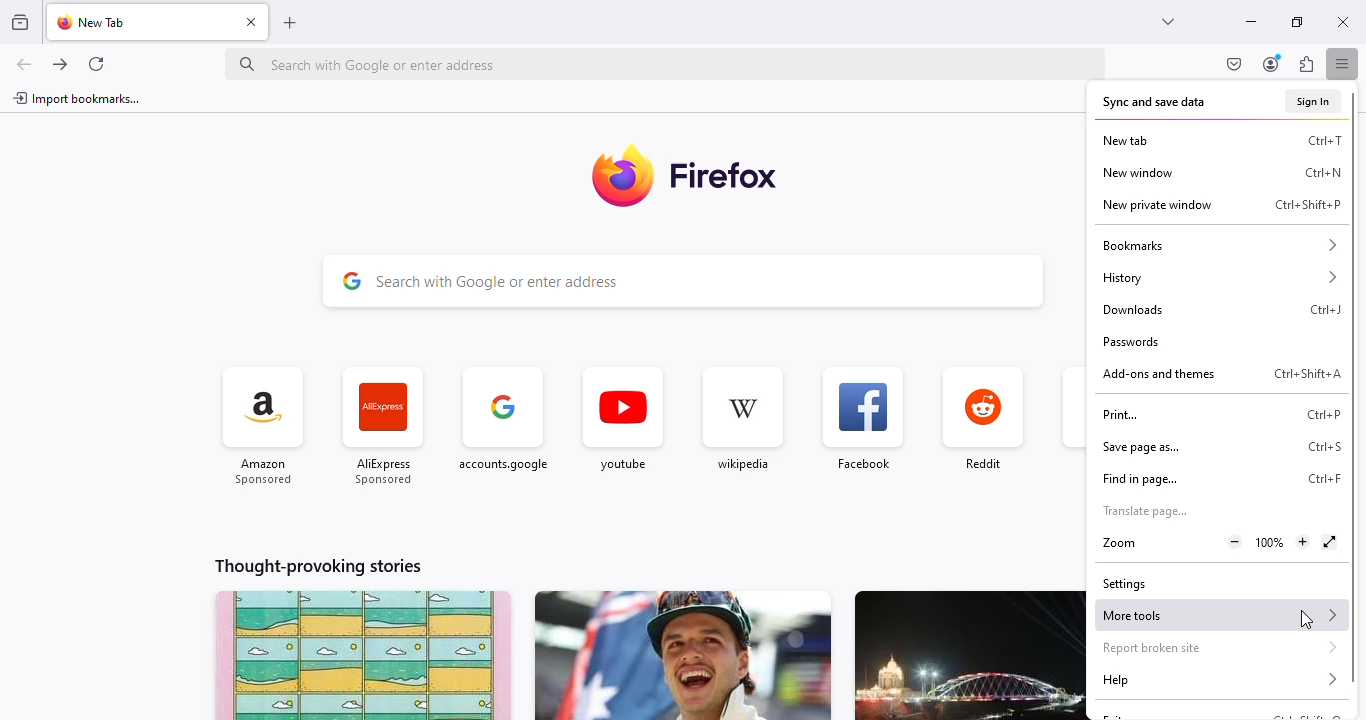  What do you see at coordinates (1306, 63) in the screenshot?
I see `extensions` at bounding box center [1306, 63].